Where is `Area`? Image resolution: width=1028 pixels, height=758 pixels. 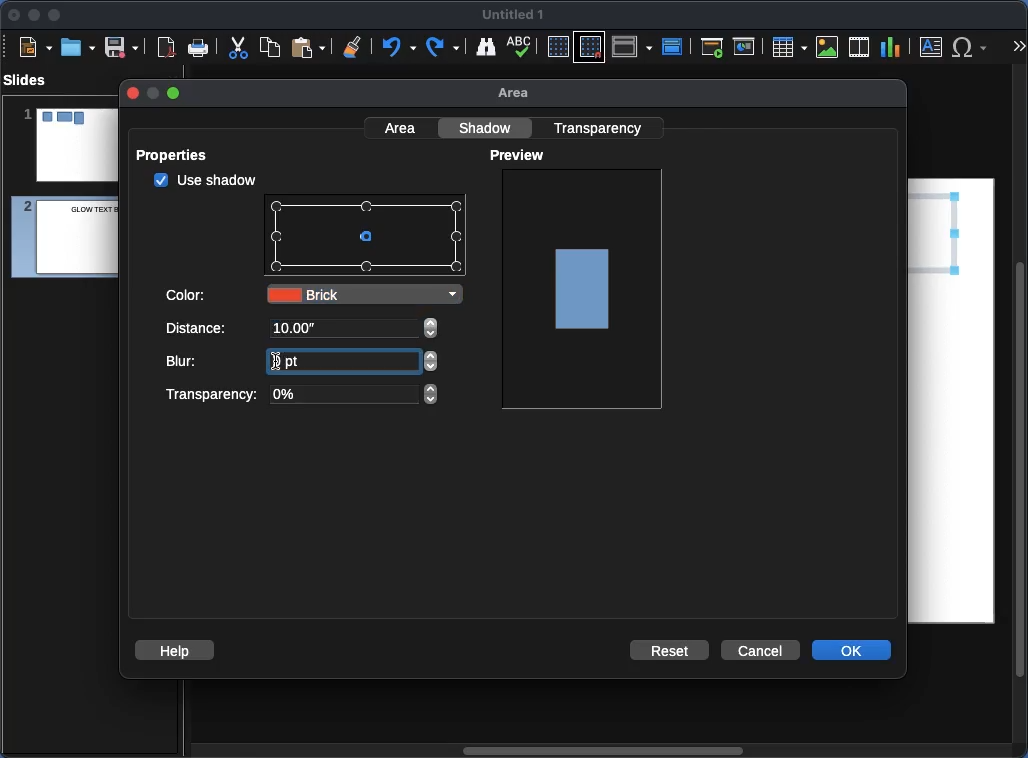
Area is located at coordinates (402, 127).